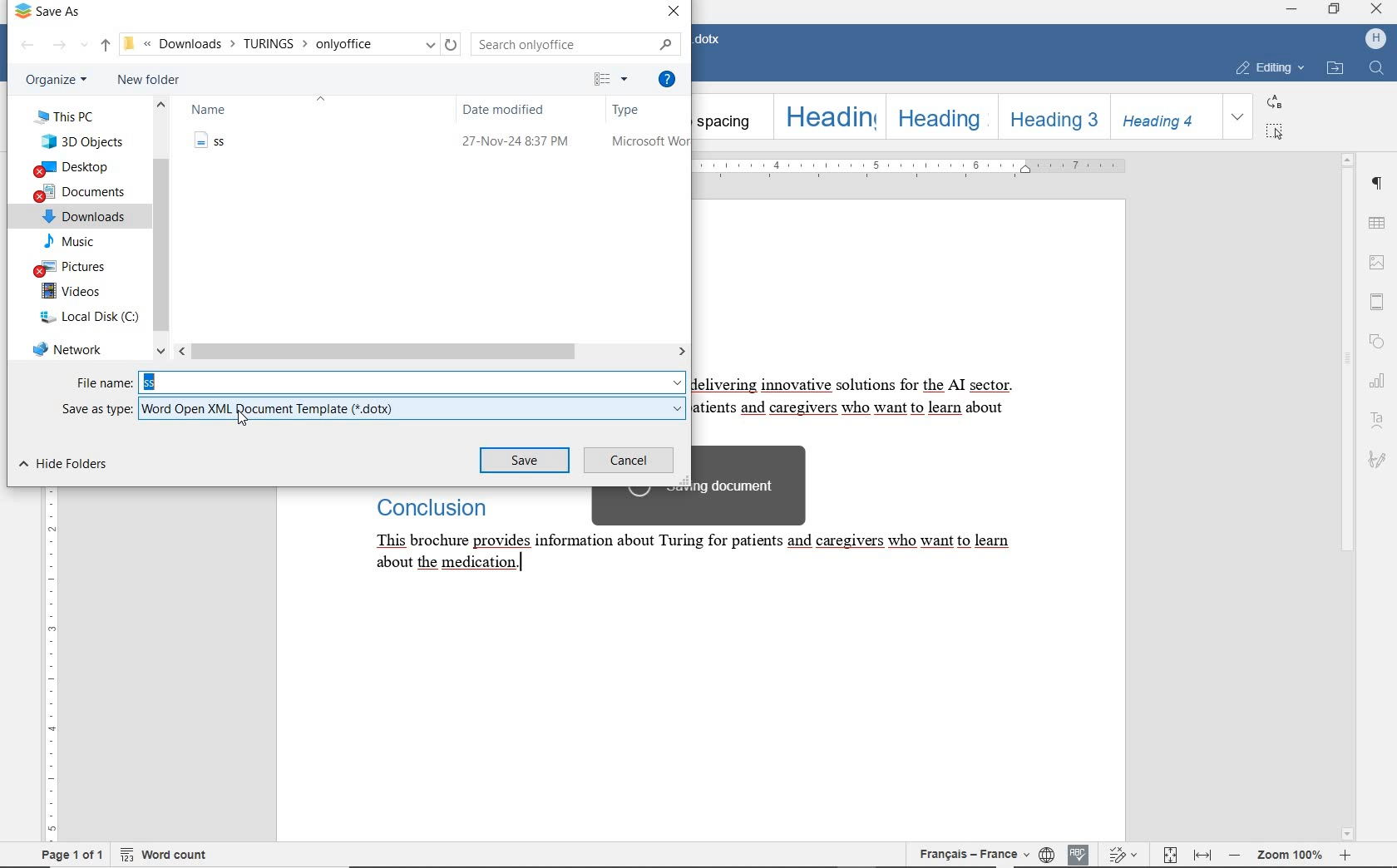 The height and width of the screenshot is (868, 1397). I want to click on HP, so click(1377, 38).